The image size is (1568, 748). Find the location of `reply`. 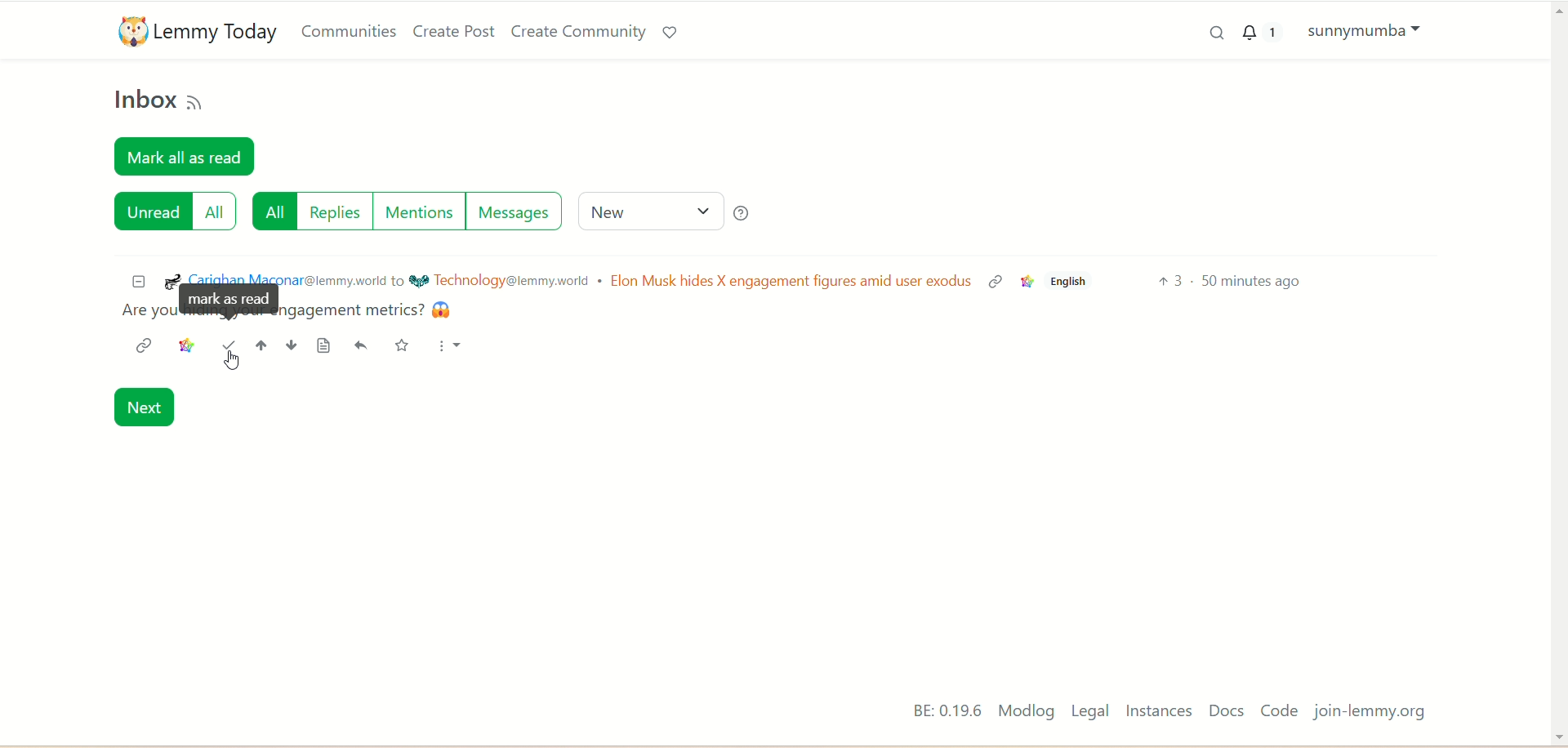

reply is located at coordinates (357, 347).